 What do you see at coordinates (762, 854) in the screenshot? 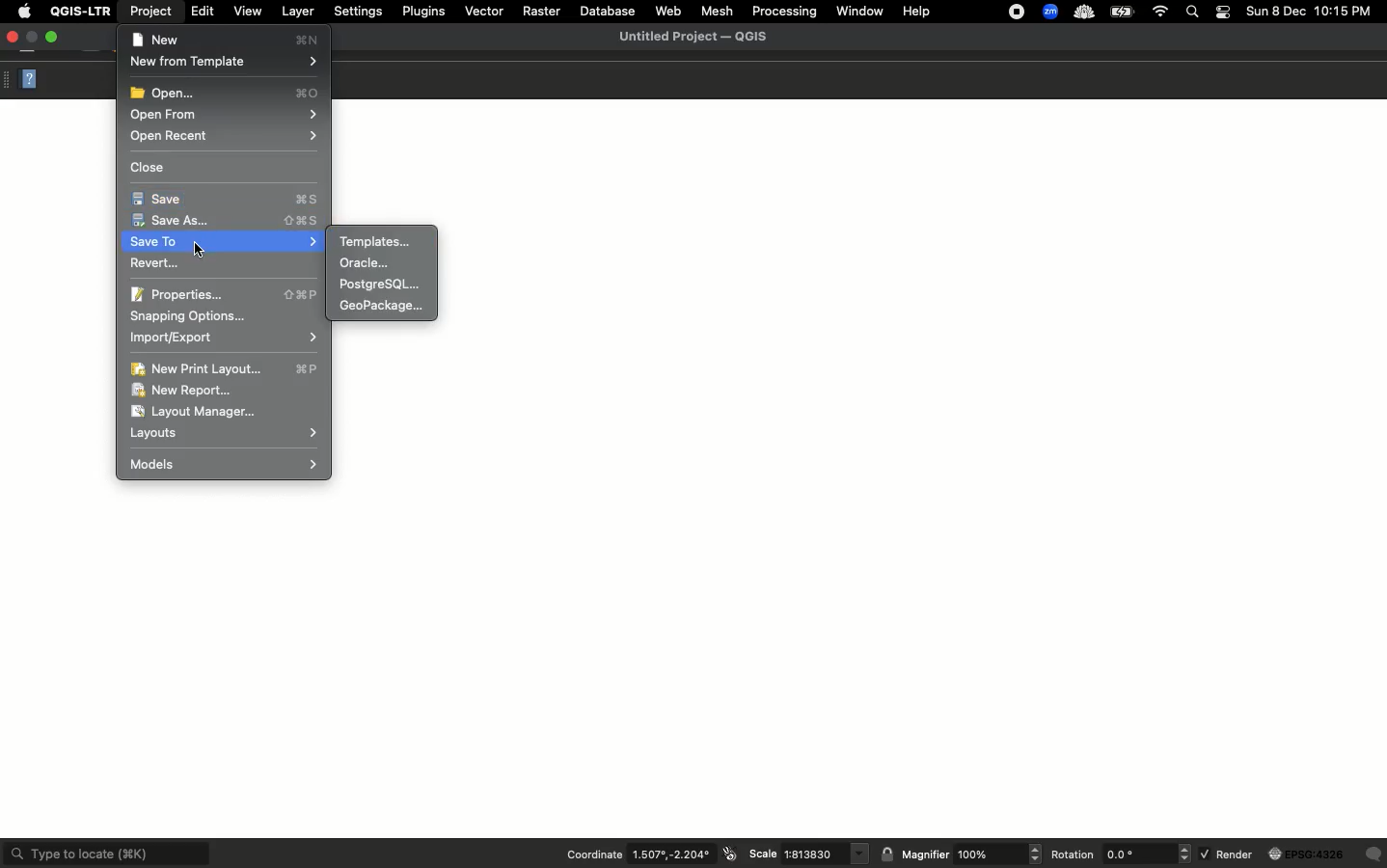
I see `Scale` at bounding box center [762, 854].